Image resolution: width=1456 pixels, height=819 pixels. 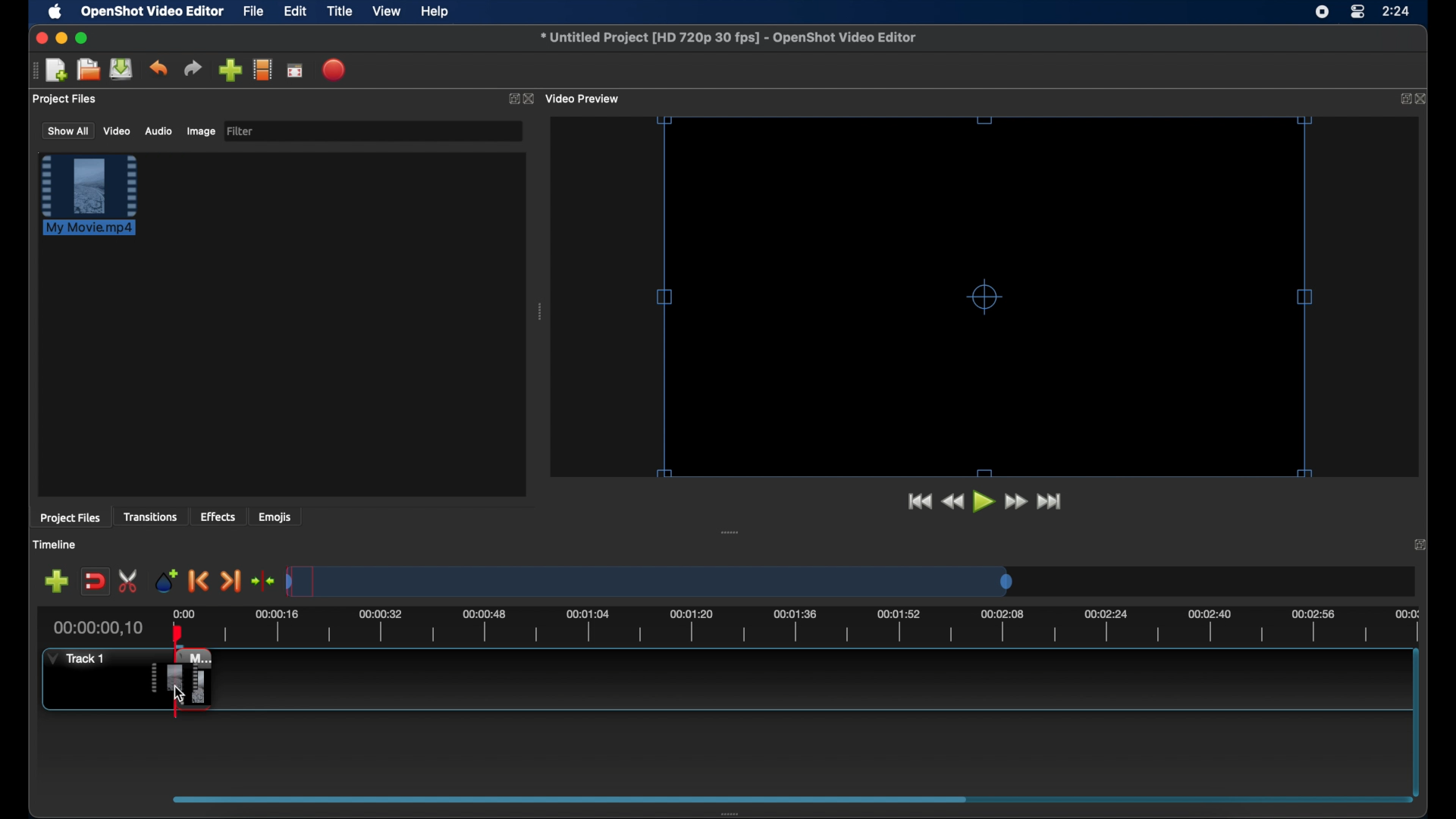 I want to click on image, so click(x=200, y=131).